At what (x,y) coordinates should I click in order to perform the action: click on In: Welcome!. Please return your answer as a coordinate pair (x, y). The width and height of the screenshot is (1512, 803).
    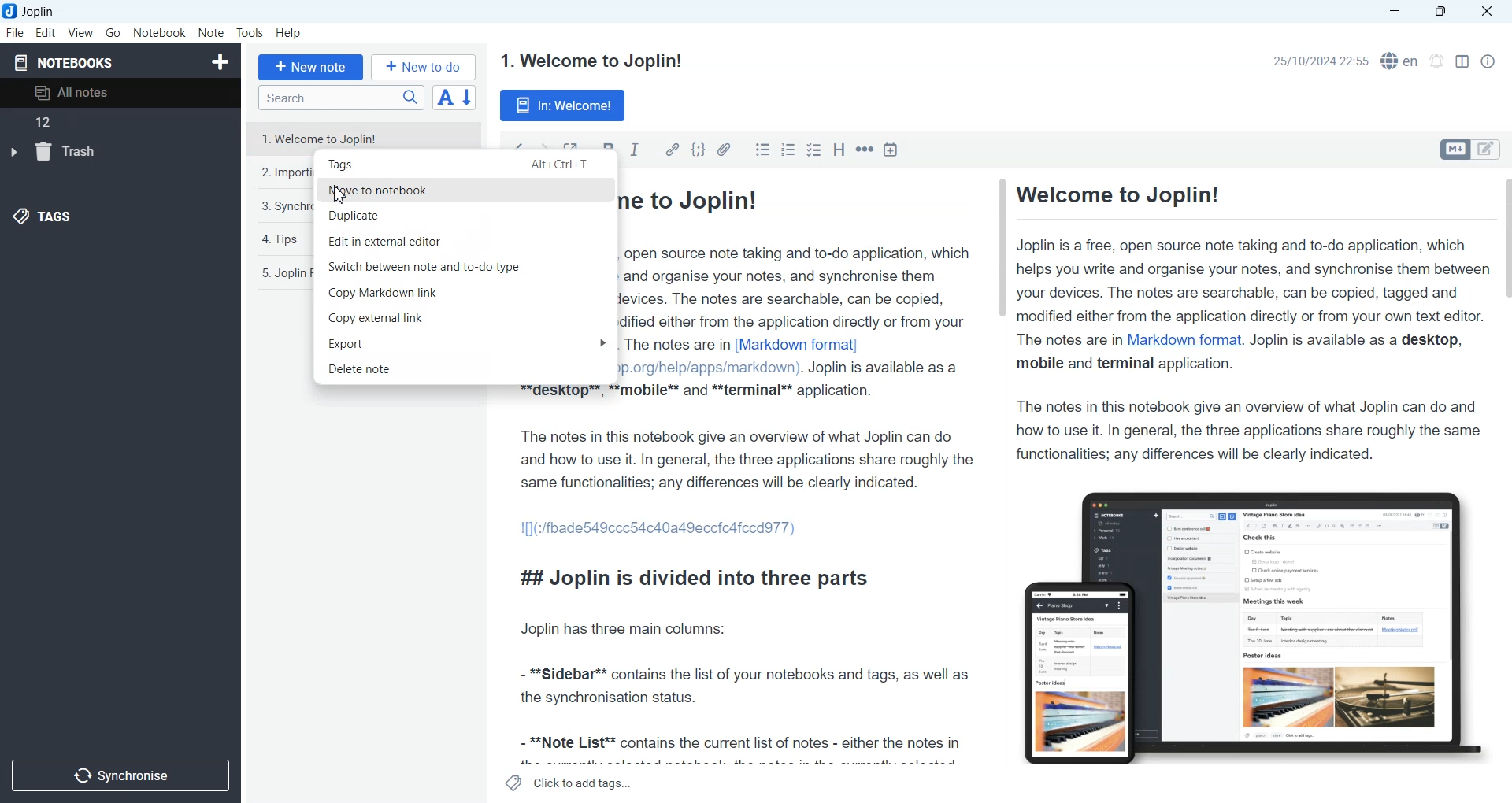
    Looking at the image, I should click on (563, 105).